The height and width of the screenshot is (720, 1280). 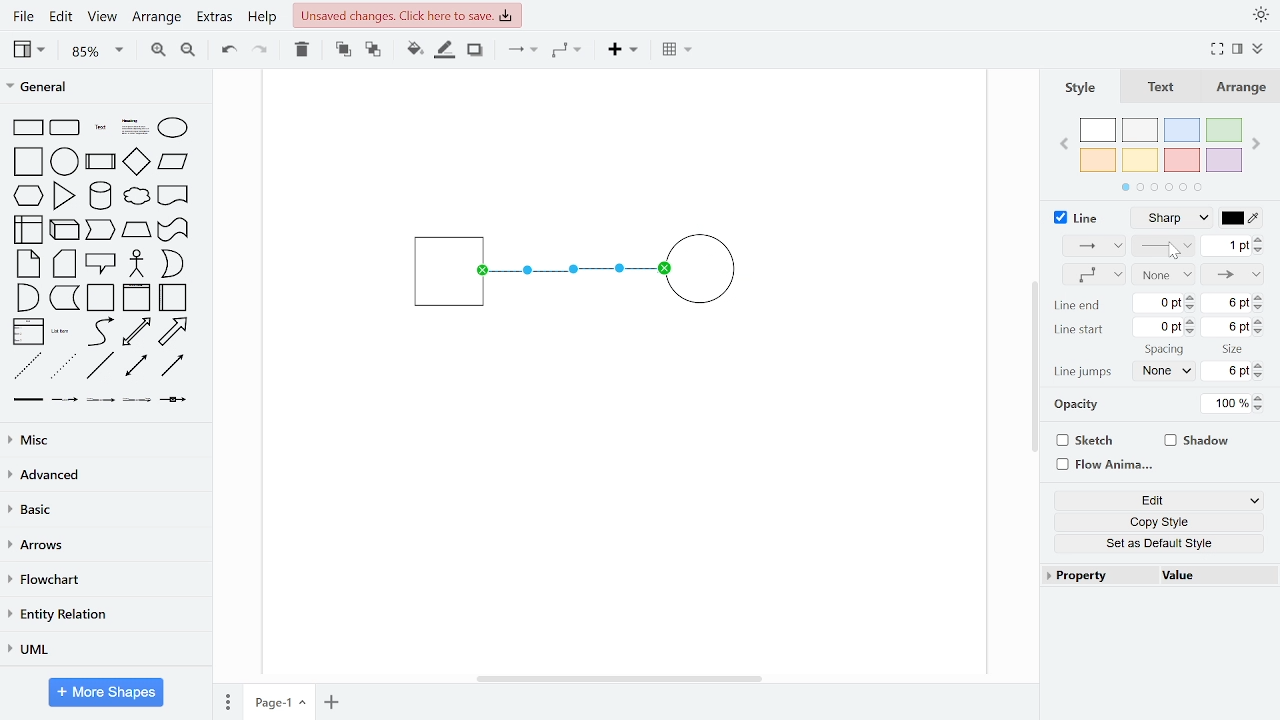 What do you see at coordinates (1258, 146) in the screenshot?
I see `next` at bounding box center [1258, 146].